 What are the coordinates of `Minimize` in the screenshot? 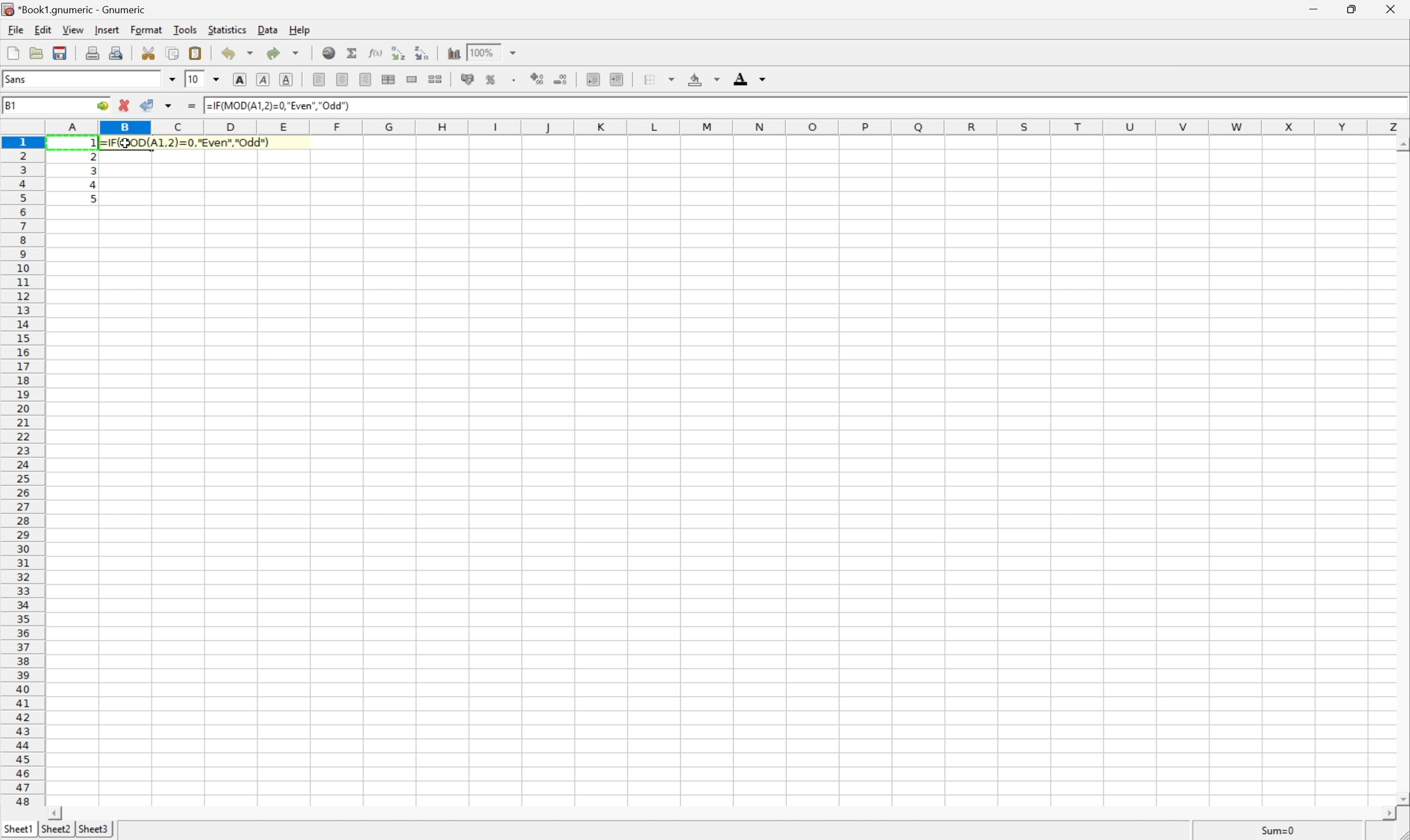 It's located at (1316, 8).